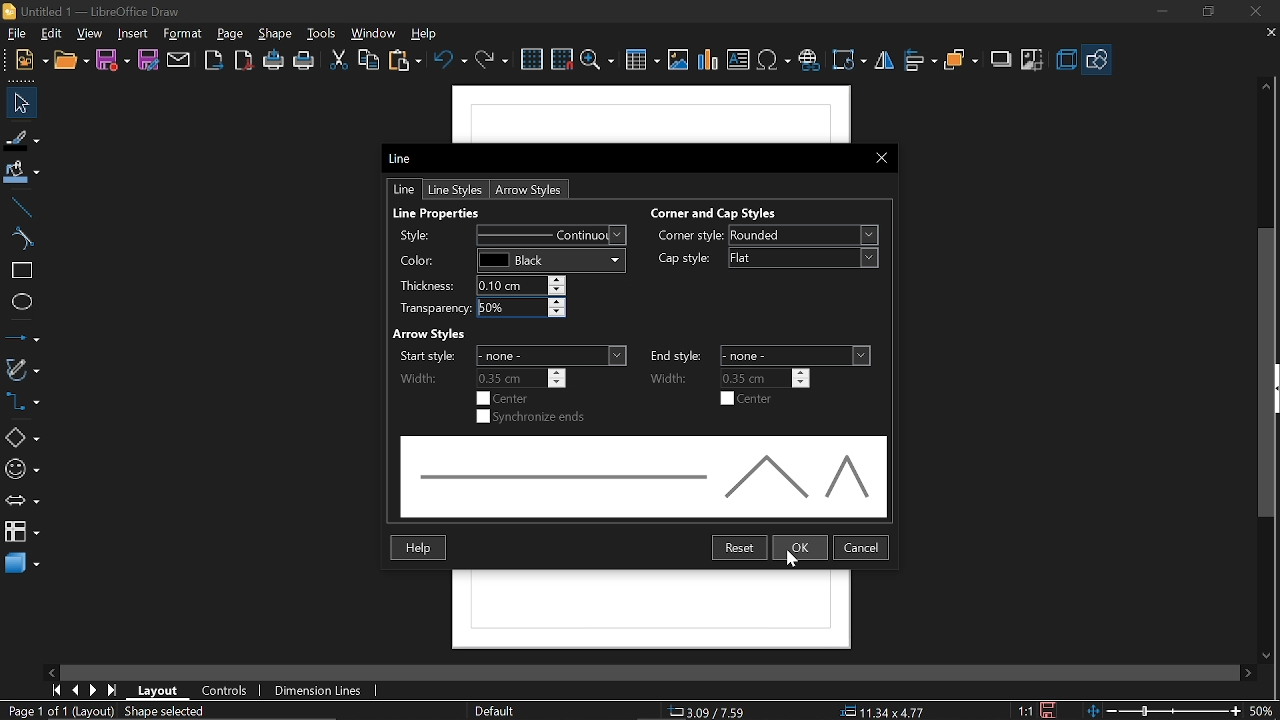 This screenshot has height=720, width=1280. I want to click on End width, so click(728, 379).